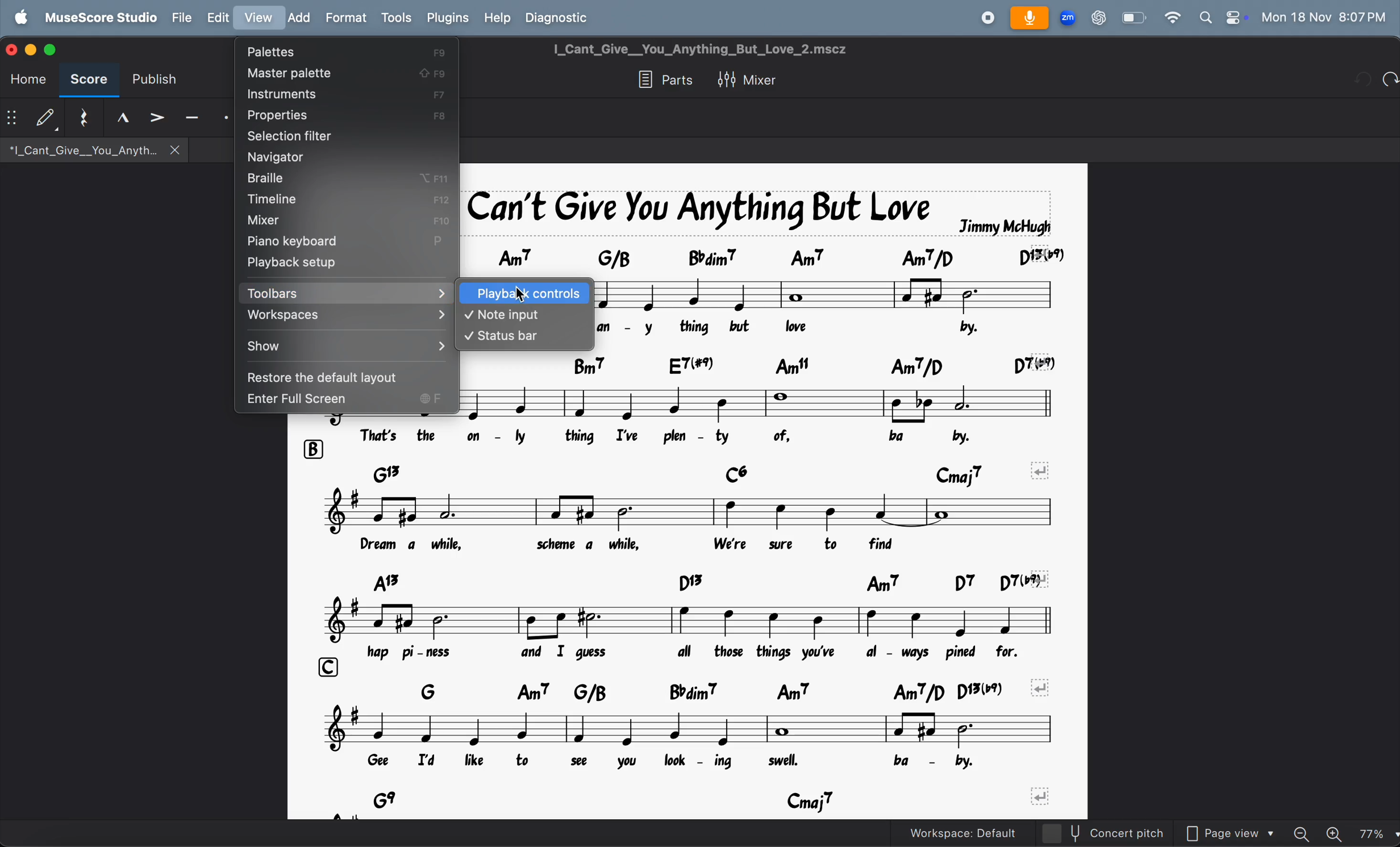 Image resolution: width=1400 pixels, height=847 pixels. I want to click on score, so click(50, 51).